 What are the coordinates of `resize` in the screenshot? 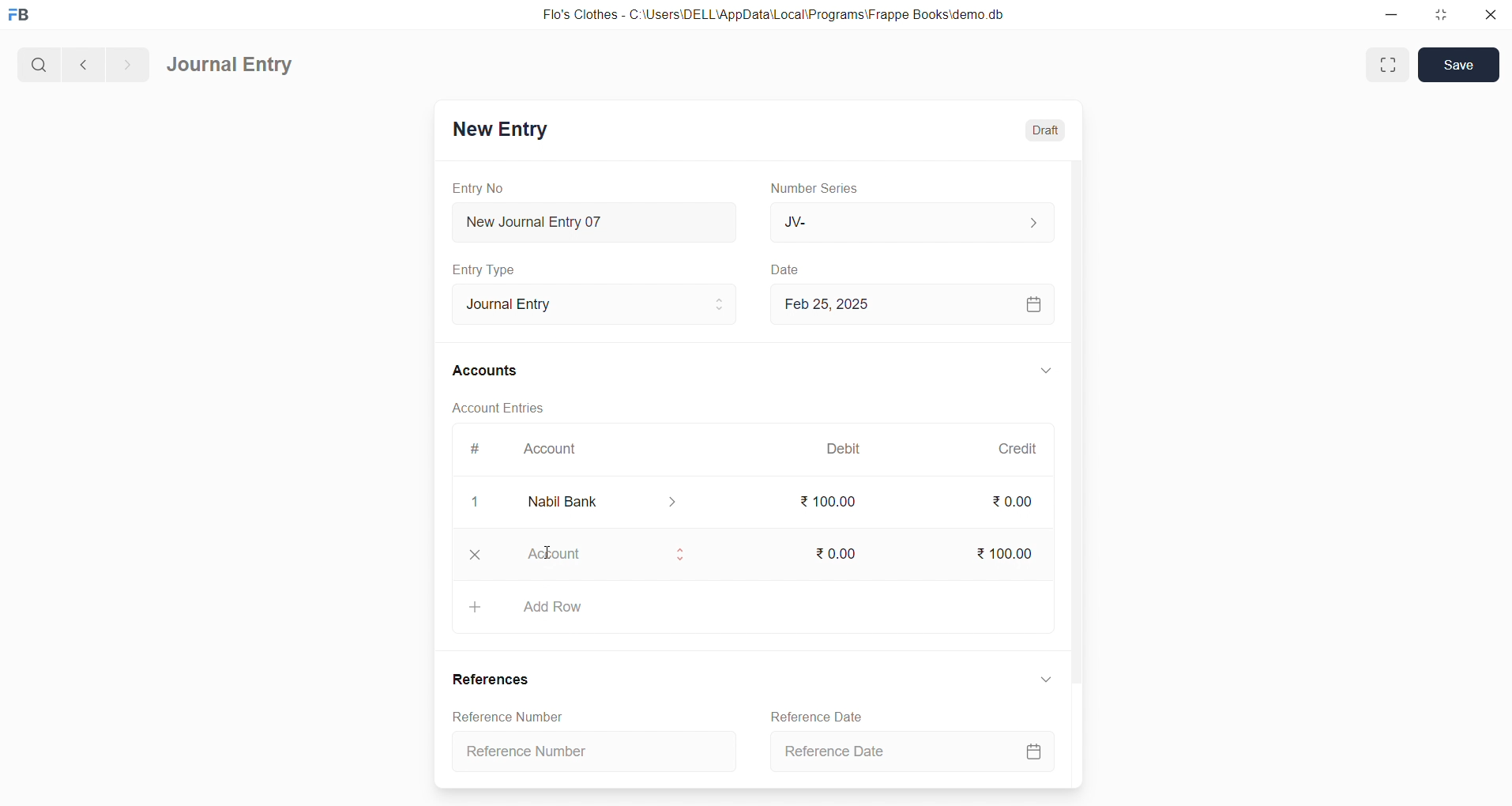 It's located at (1439, 16).